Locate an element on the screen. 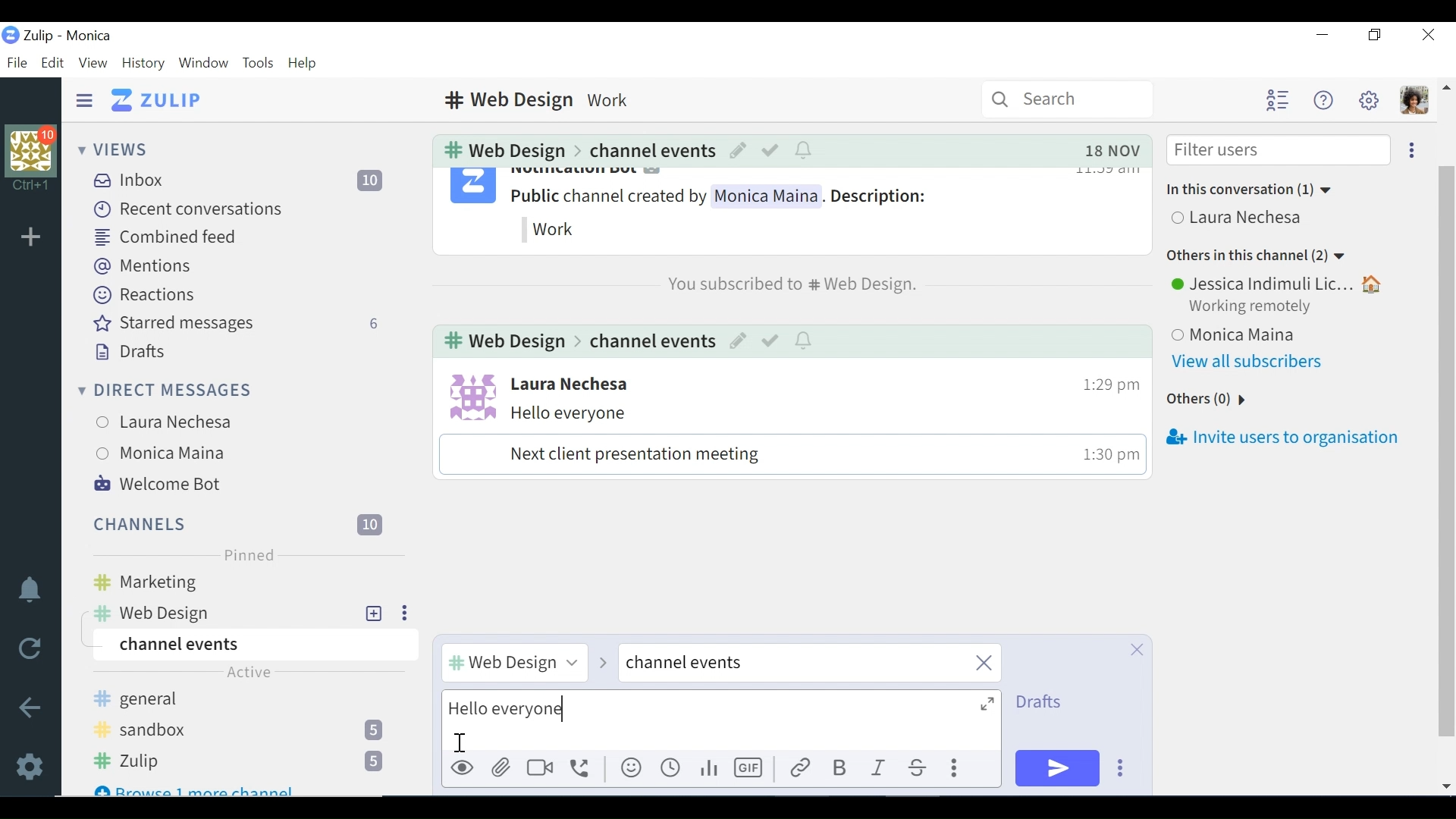 This screenshot has height=819, width=1456. Recent conversations is located at coordinates (189, 209).